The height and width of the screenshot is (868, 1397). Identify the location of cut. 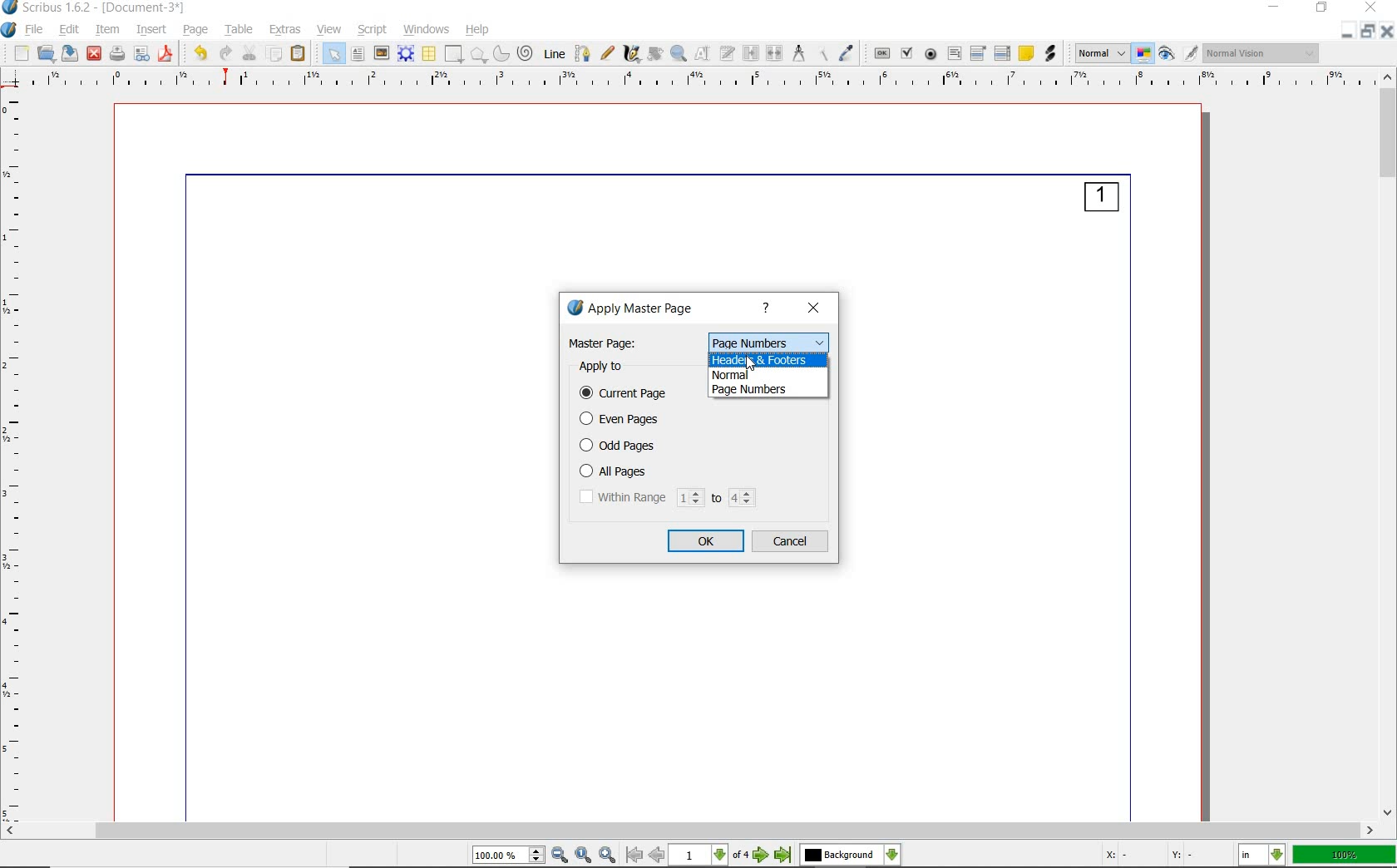
(249, 53).